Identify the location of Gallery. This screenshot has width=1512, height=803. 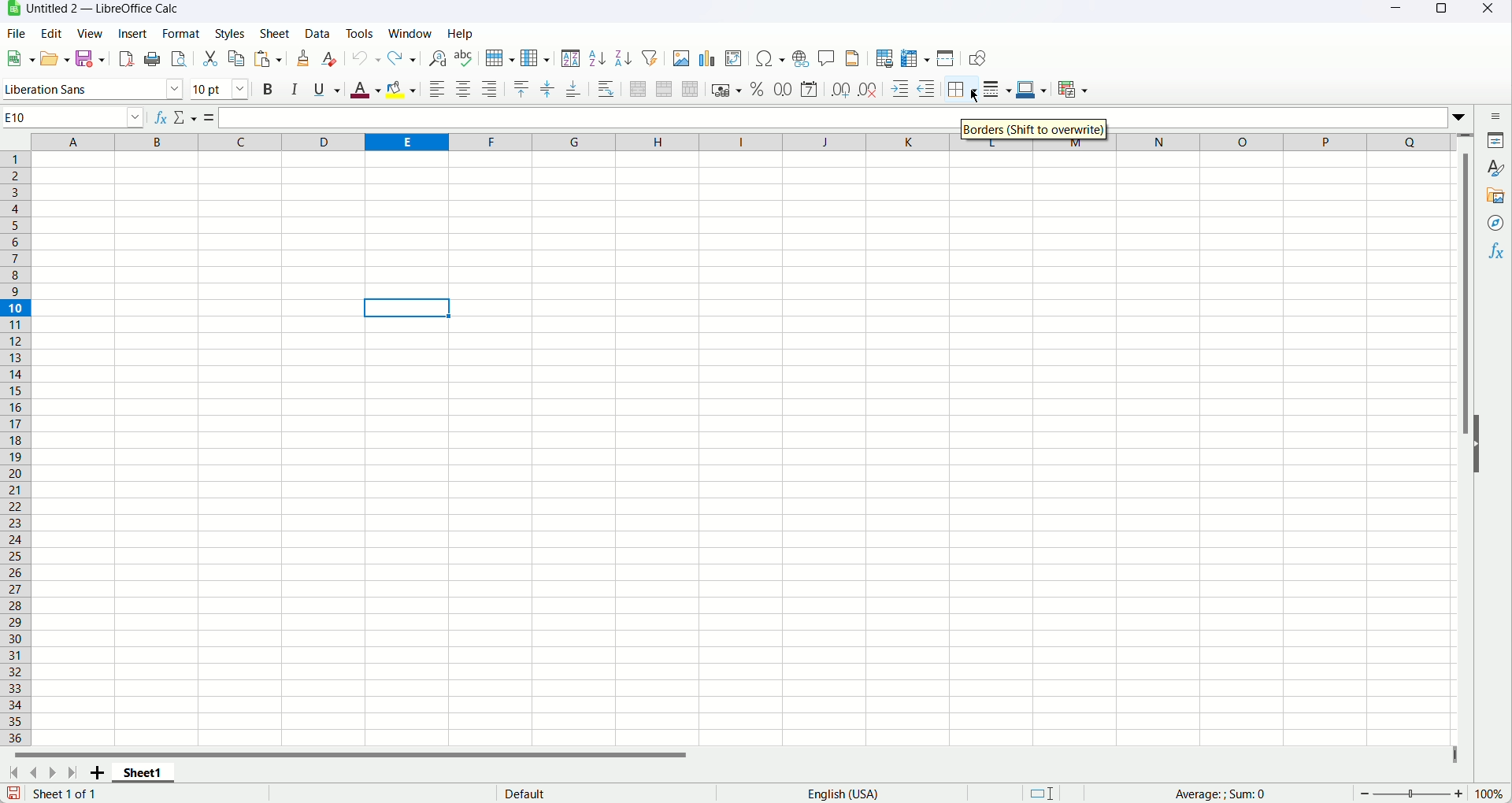
(1495, 198).